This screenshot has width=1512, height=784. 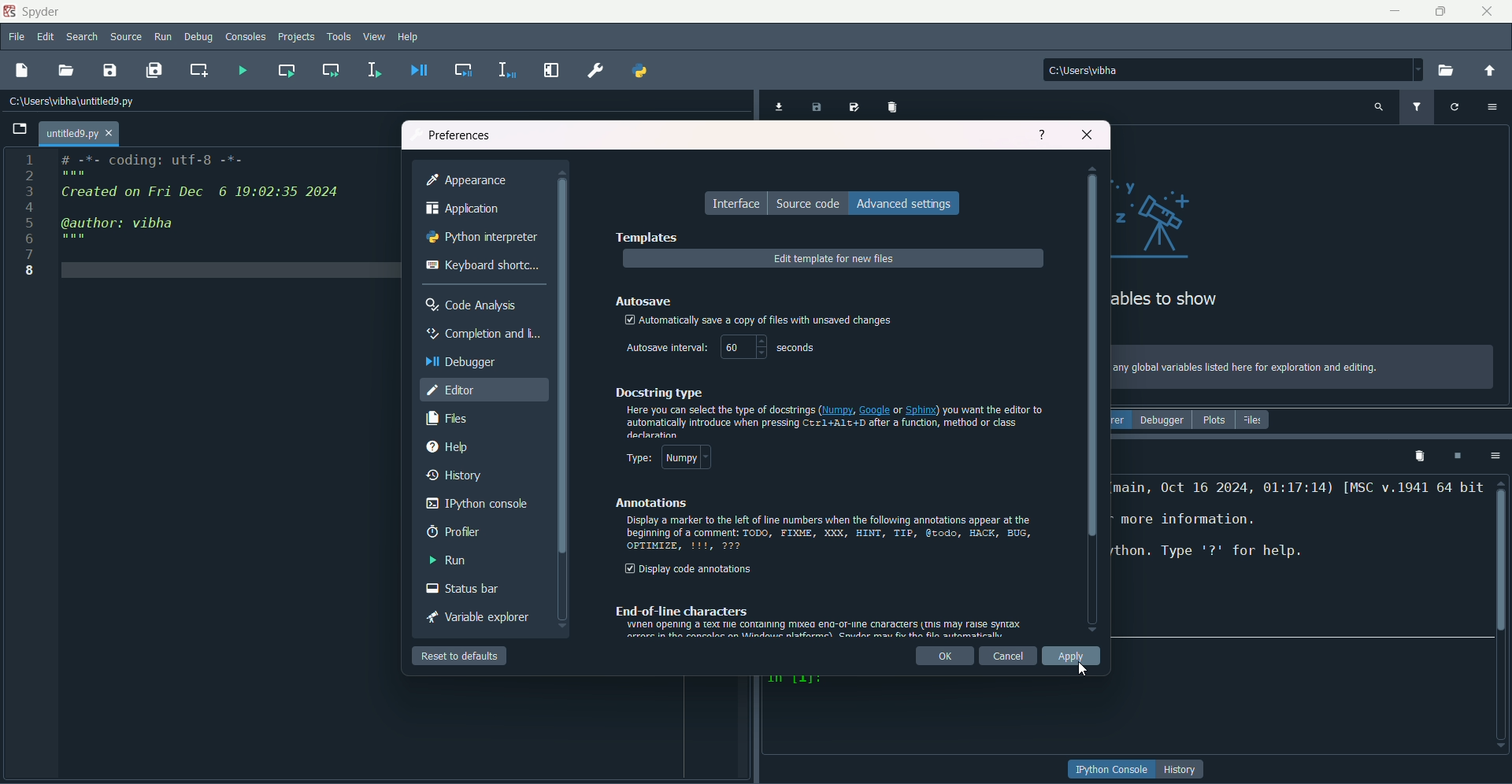 I want to click on create new cell, so click(x=199, y=69).